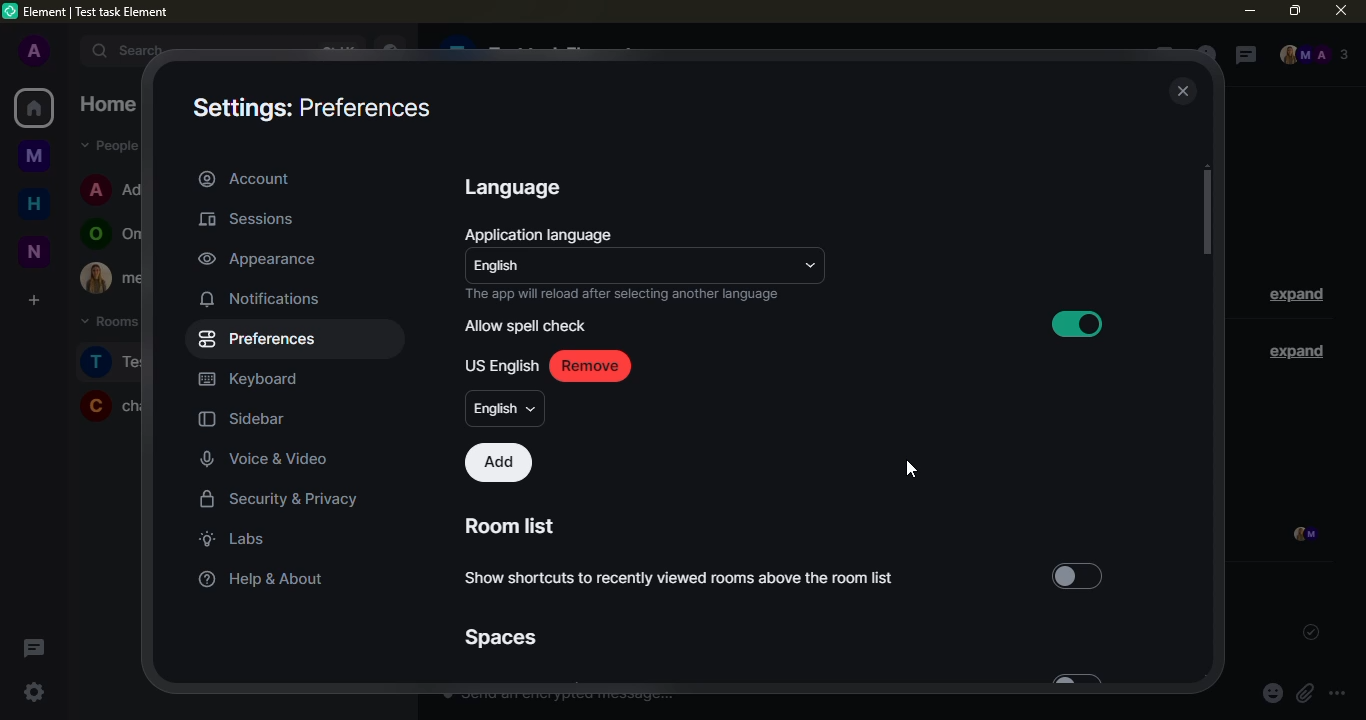 The height and width of the screenshot is (720, 1366). Describe the element at coordinates (687, 579) in the screenshot. I see `show shortcuts` at that location.